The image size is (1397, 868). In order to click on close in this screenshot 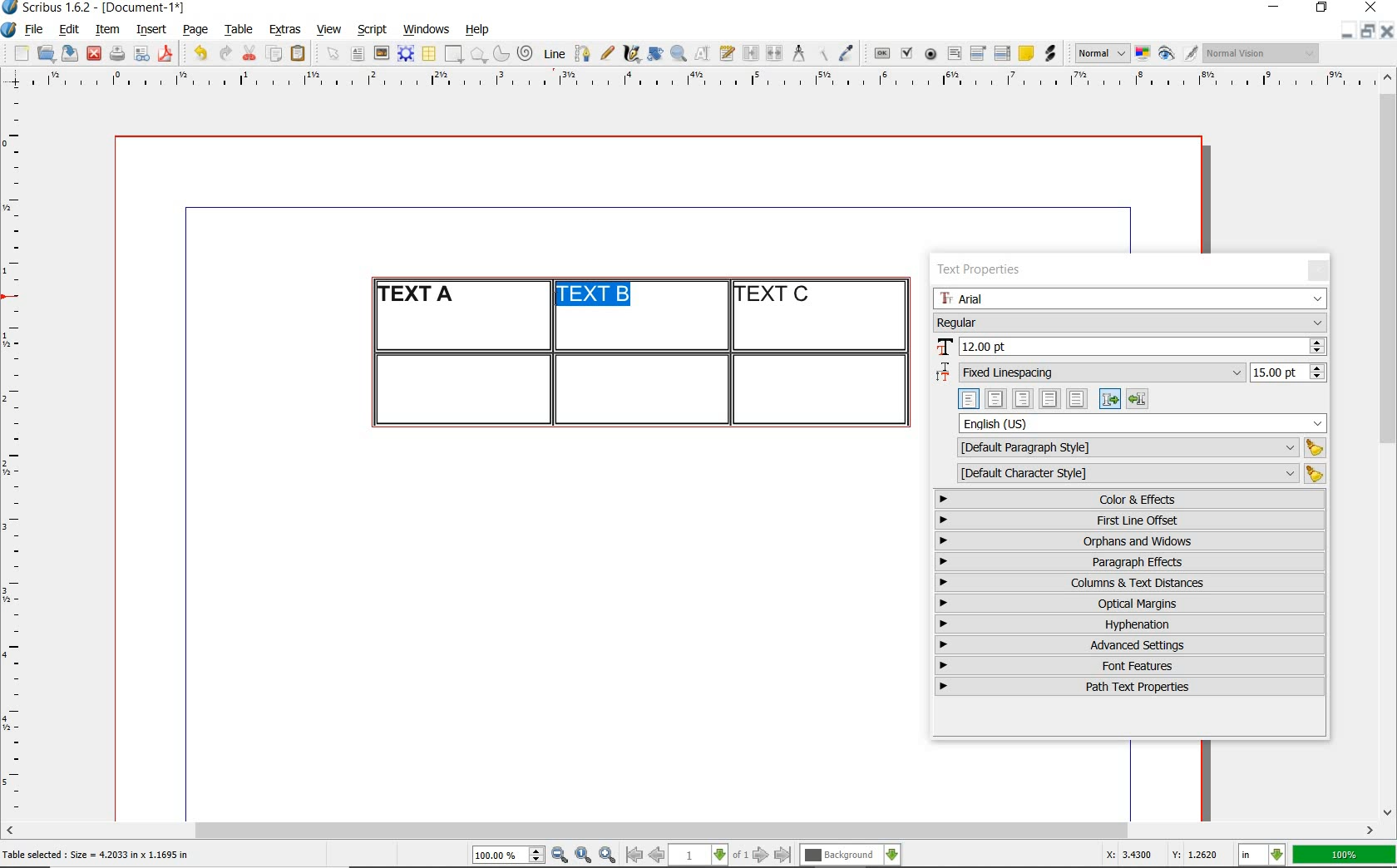, I will do `click(1374, 7)`.